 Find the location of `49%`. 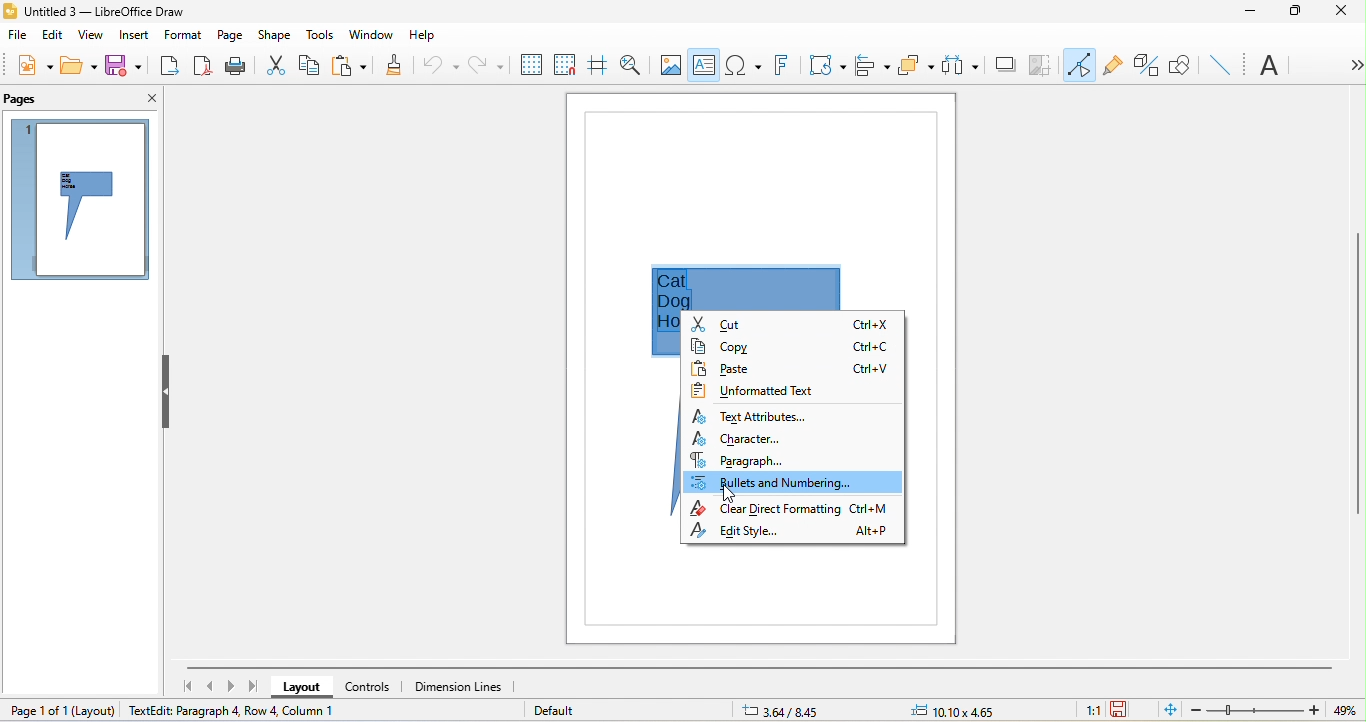

49% is located at coordinates (1350, 711).